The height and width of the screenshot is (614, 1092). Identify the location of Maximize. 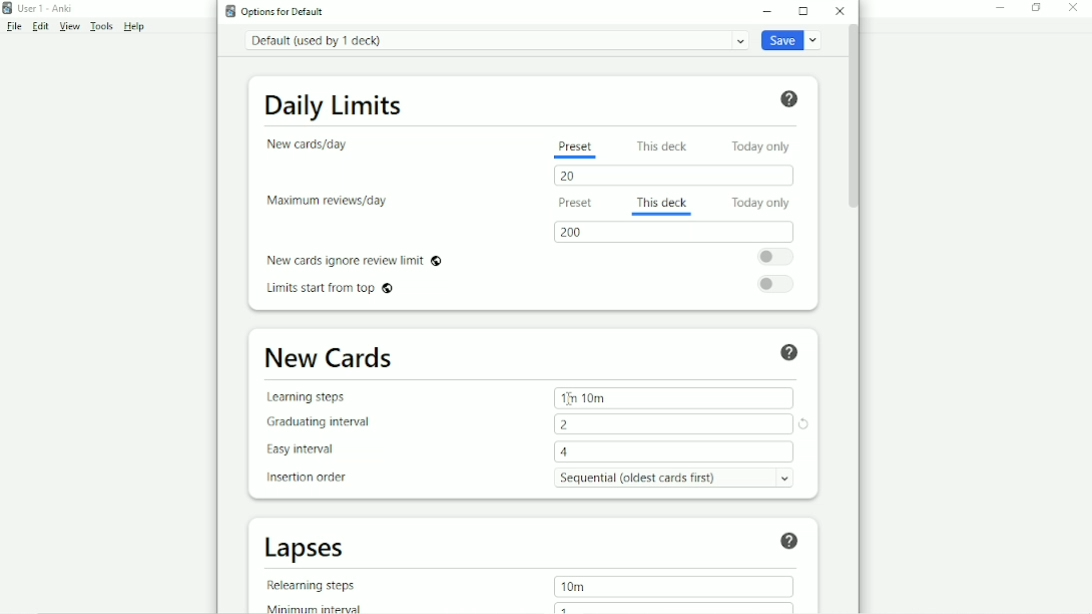
(805, 11).